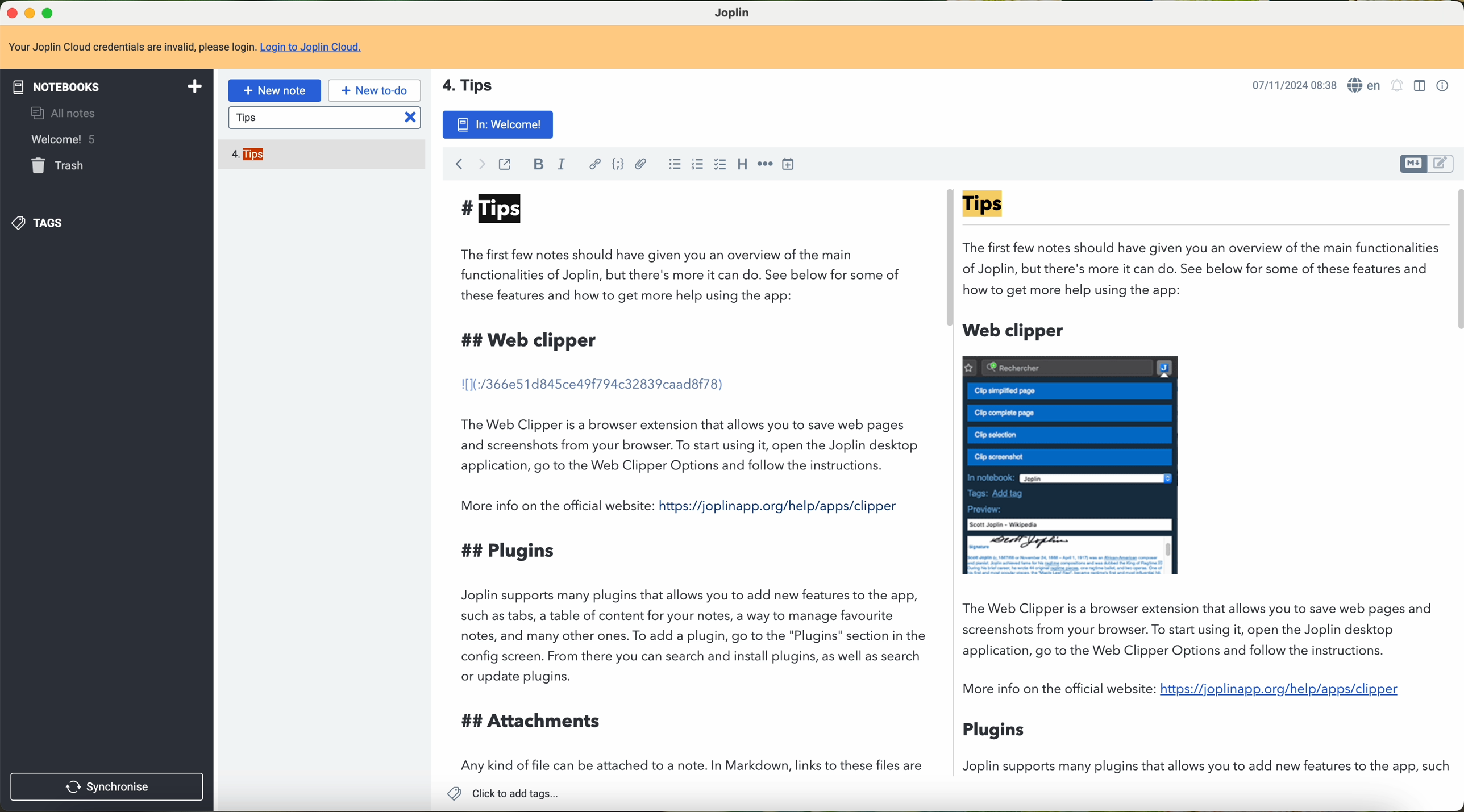  I want to click on Joplin, so click(733, 11).